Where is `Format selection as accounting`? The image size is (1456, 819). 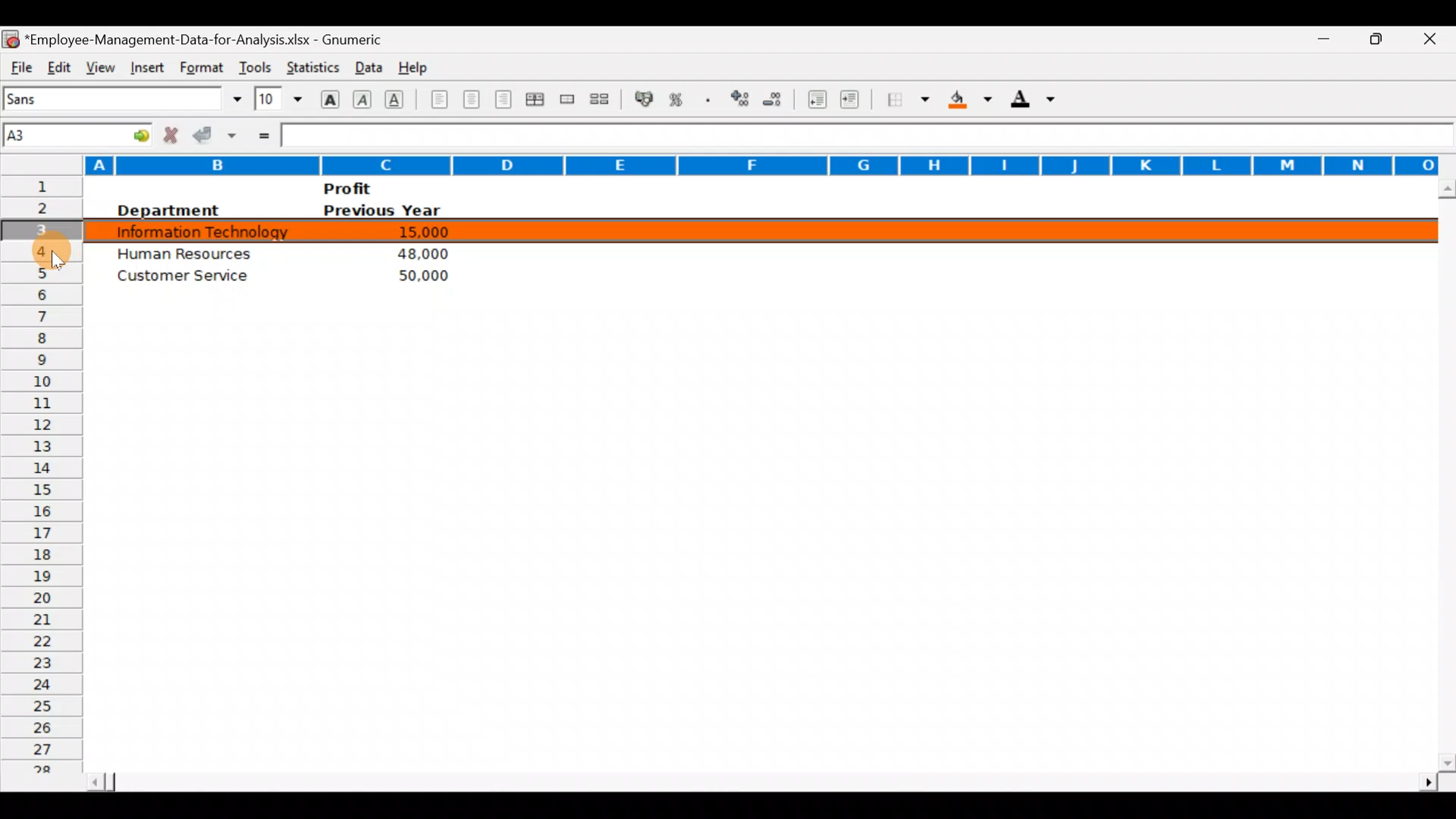
Format selection as accounting is located at coordinates (645, 97).